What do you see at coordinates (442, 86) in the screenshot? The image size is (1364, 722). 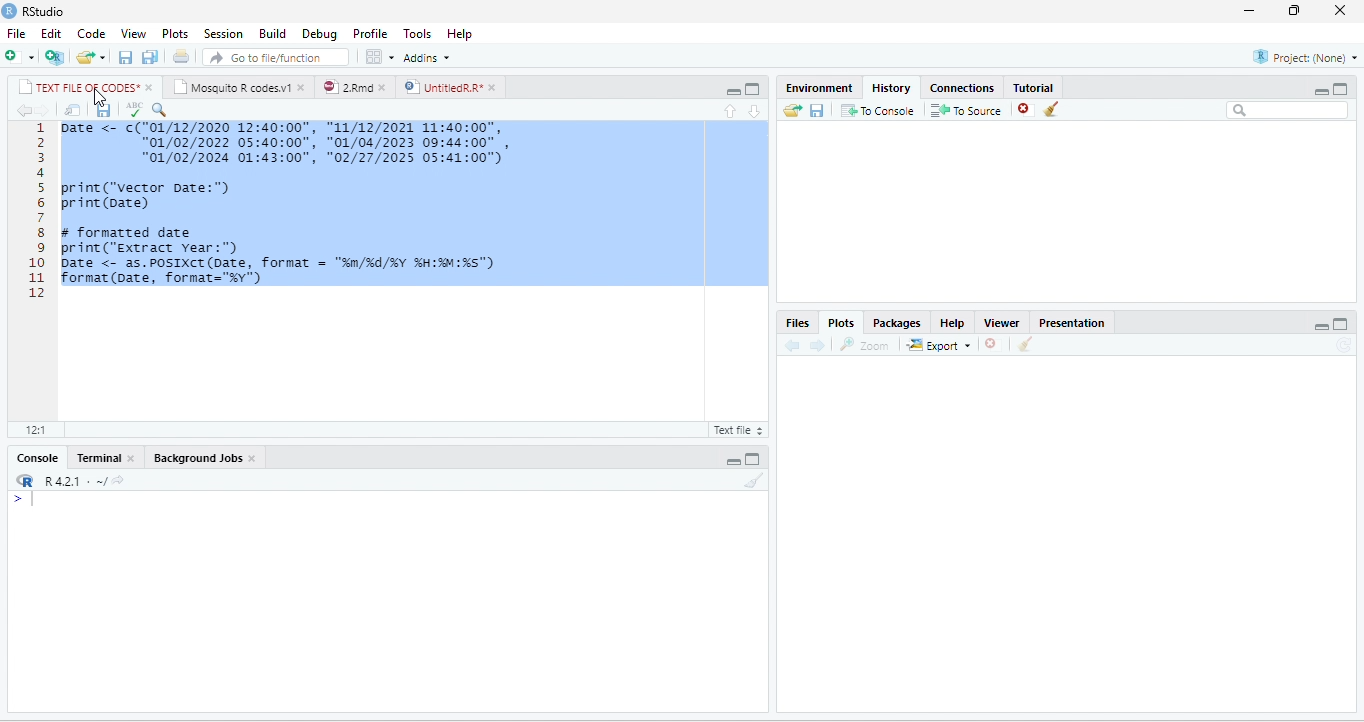 I see `UntitledR.R` at bounding box center [442, 86].